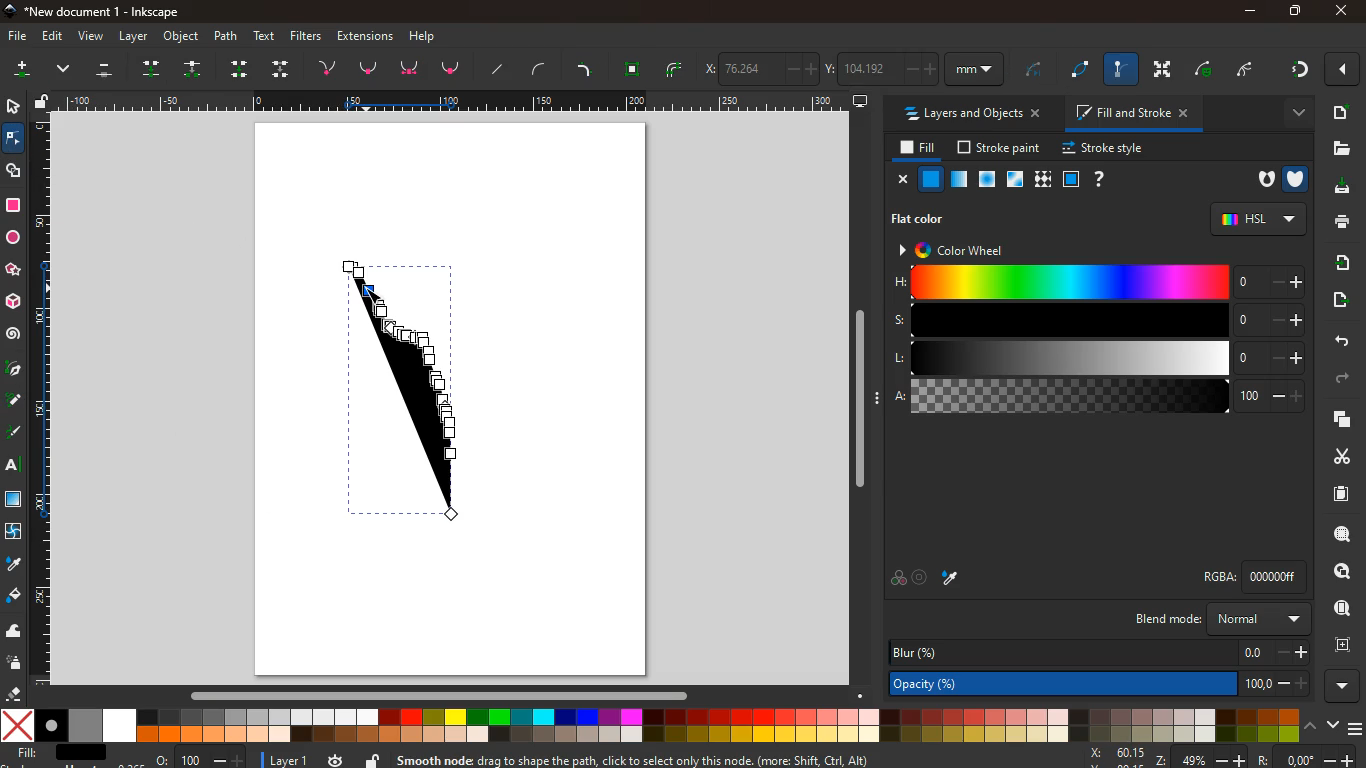 This screenshot has width=1366, height=768. Describe the element at coordinates (1334, 456) in the screenshot. I see `cut` at that location.